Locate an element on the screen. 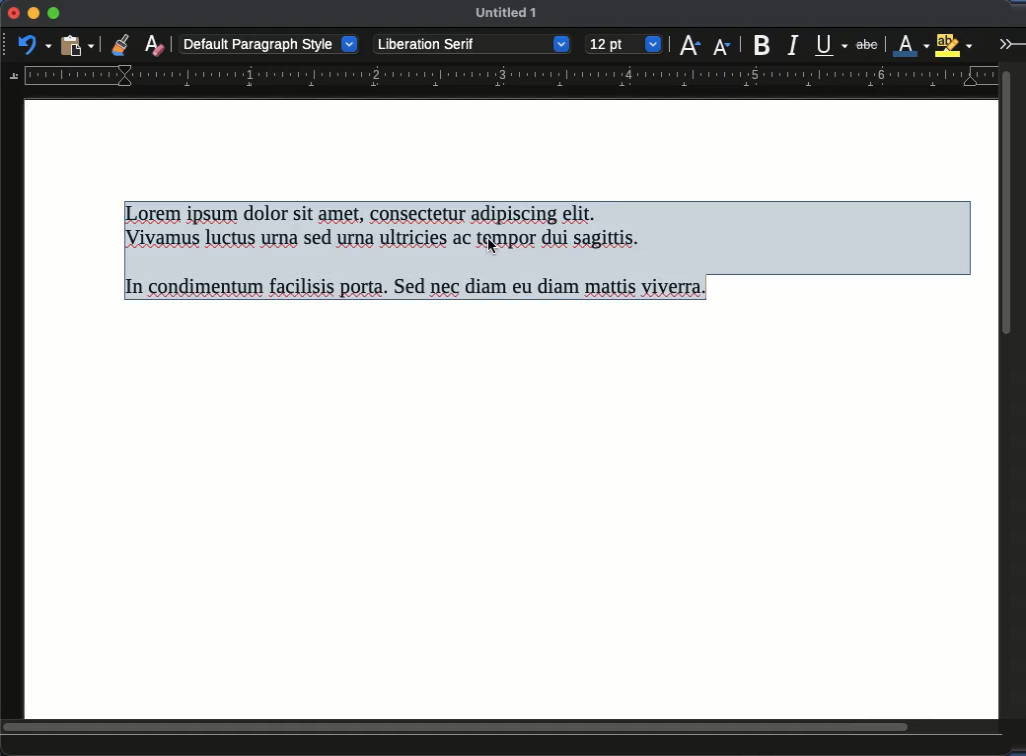  italic is located at coordinates (792, 46).